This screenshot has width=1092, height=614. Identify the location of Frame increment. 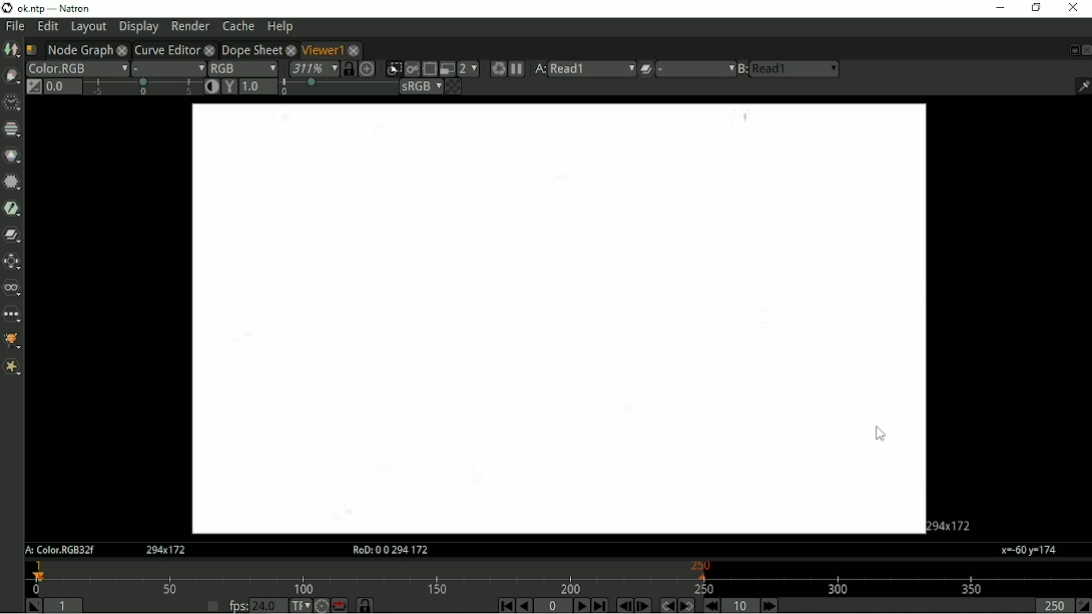
(741, 606).